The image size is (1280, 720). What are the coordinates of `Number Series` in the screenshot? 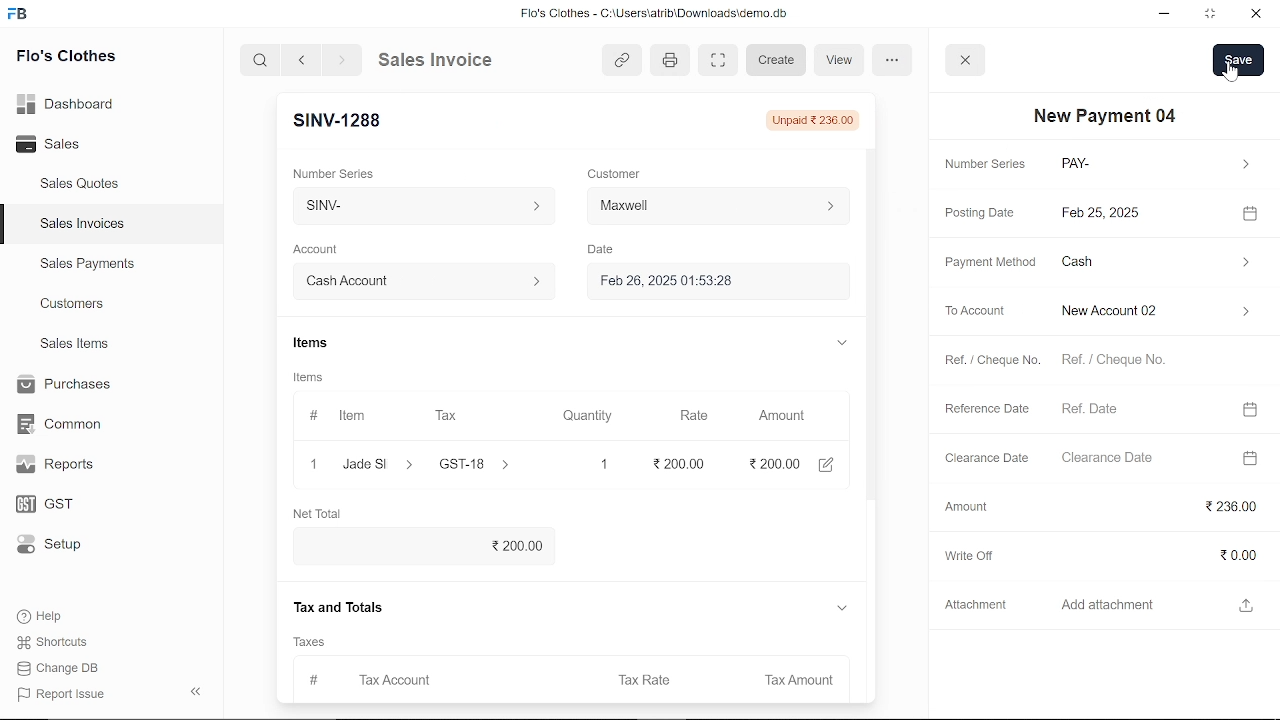 It's located at (988, 164).